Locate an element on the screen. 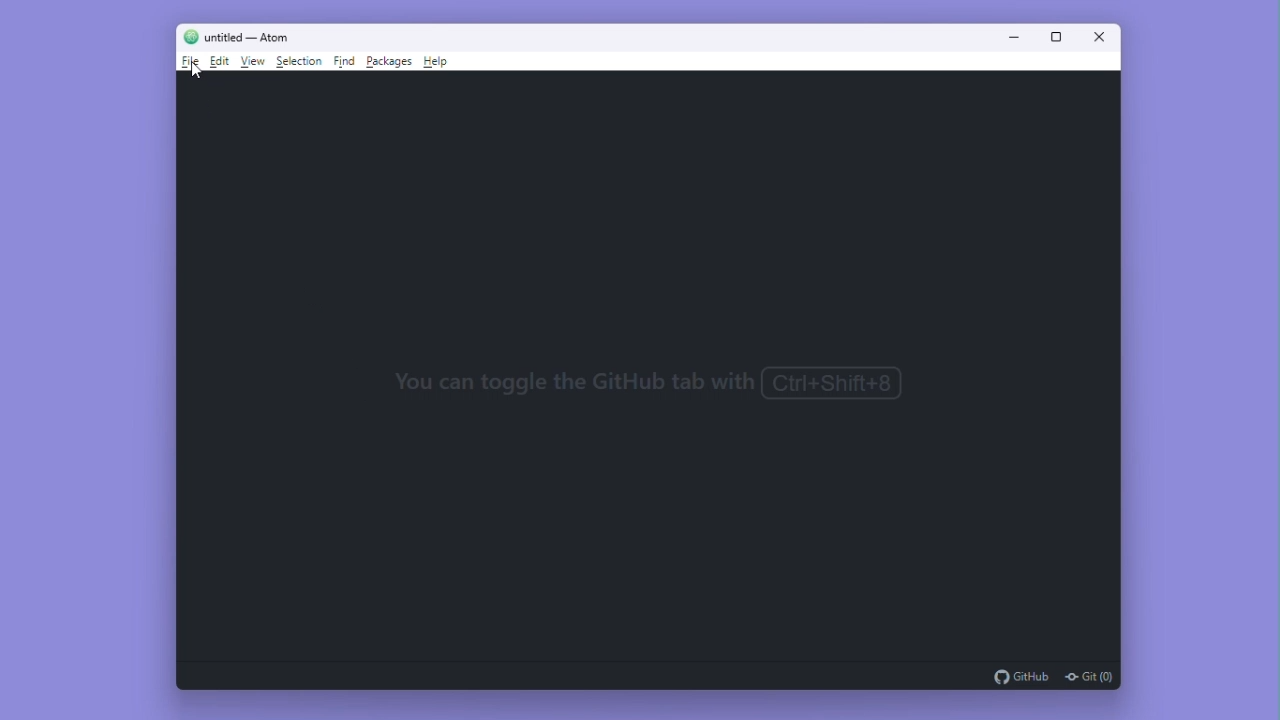  Find is located at coordinates (344, 63).